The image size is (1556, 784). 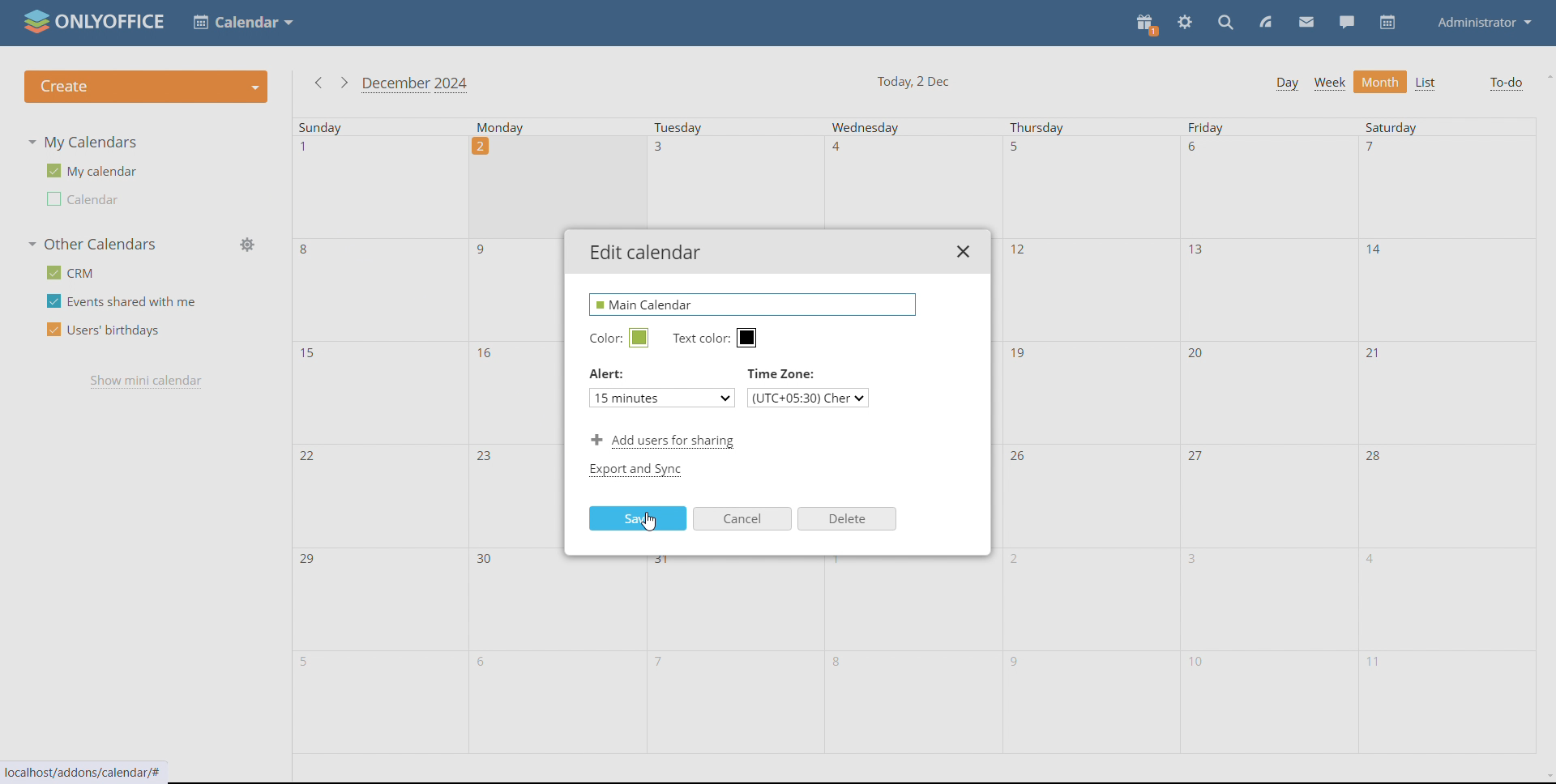 What do you see at coordinates (914, 83) in the screenshot?
I see `current date` at bounding box center [914, 83].